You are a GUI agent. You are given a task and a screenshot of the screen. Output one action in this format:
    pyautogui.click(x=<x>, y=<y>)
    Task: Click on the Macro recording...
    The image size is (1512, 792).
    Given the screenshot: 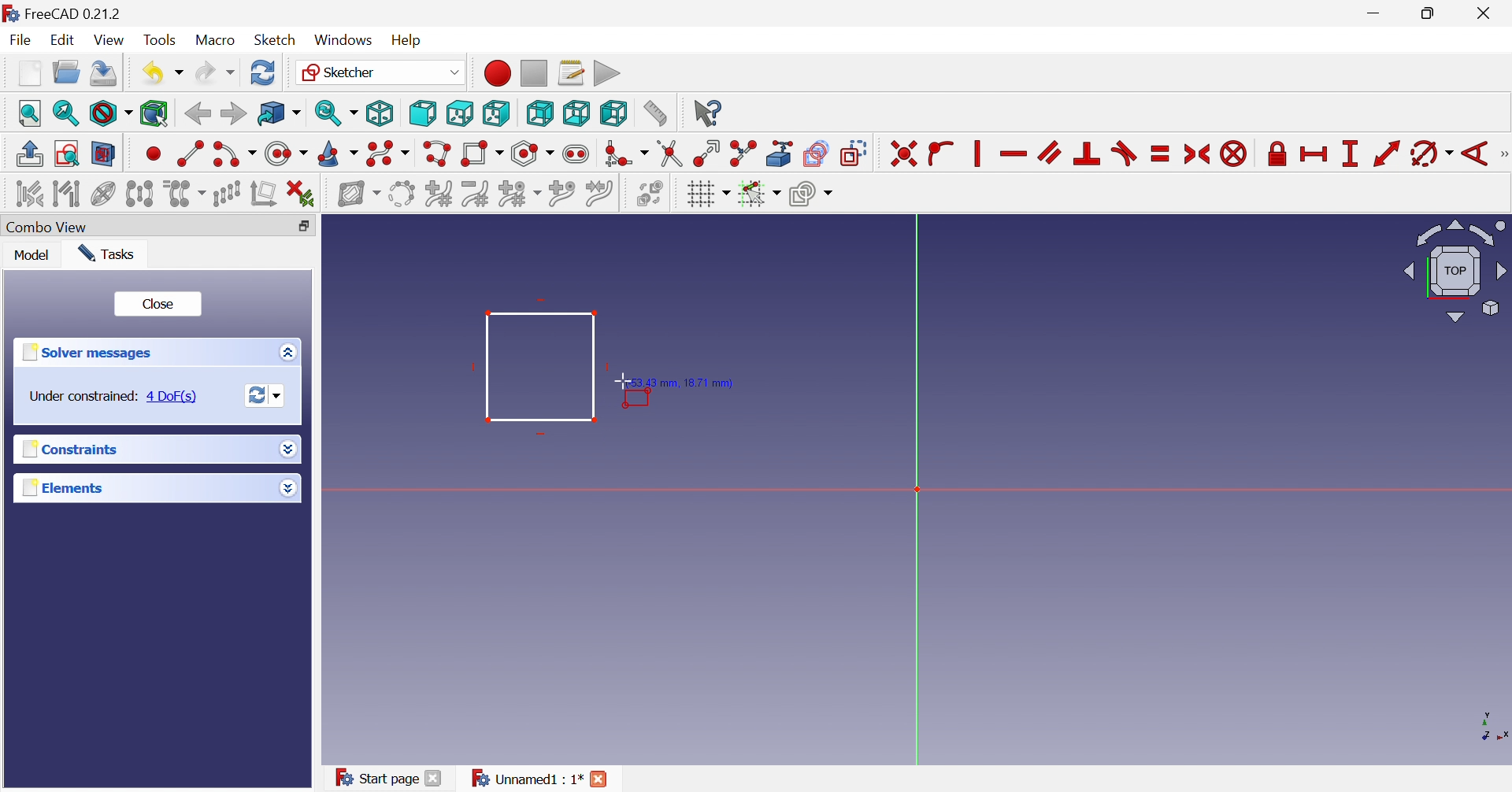 What is the action you would take?
    pyautogui.click(x=496, y=72)
    